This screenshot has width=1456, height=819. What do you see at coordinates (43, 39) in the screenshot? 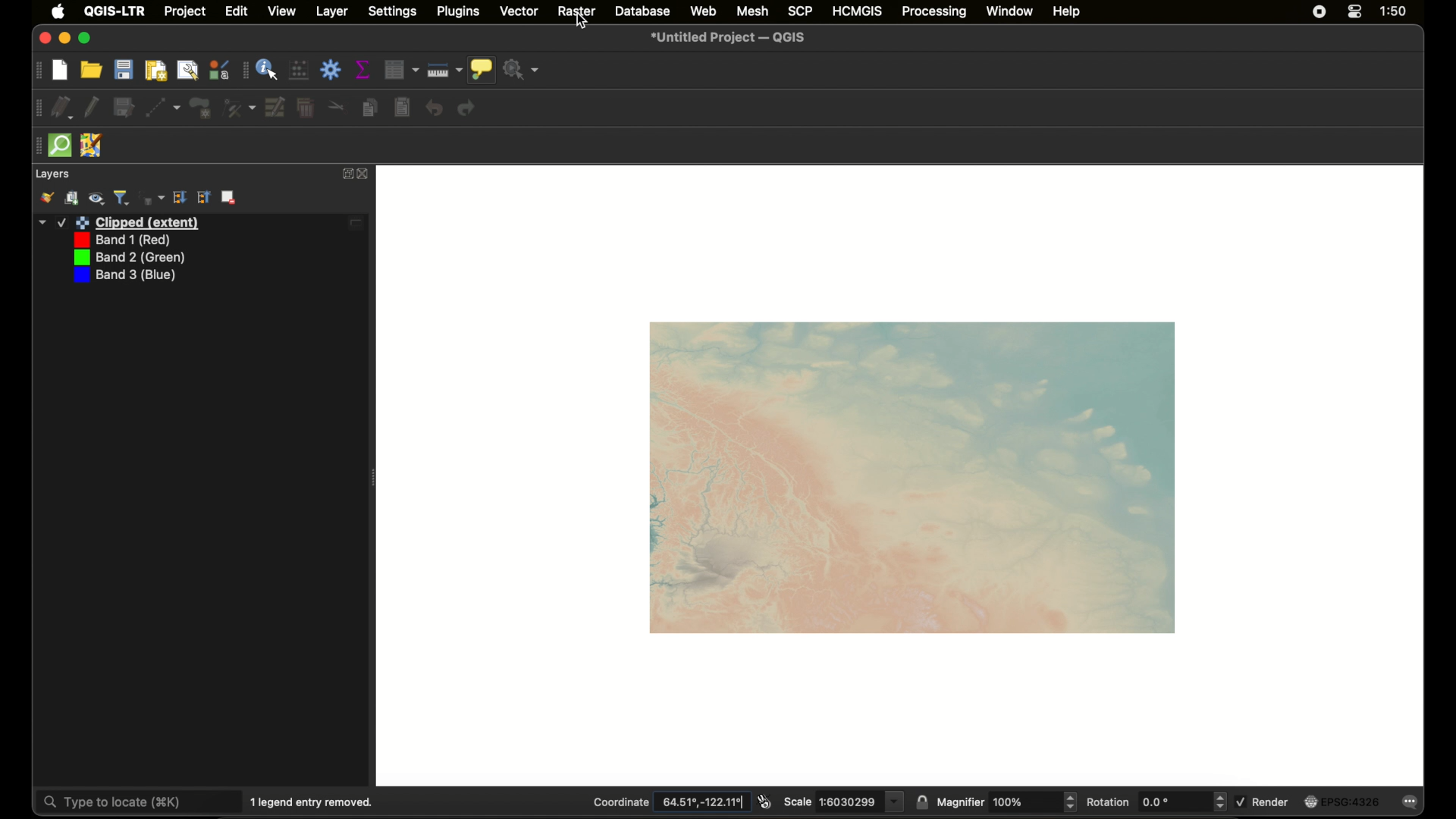
I see `close` at bounding box center [43, 39].